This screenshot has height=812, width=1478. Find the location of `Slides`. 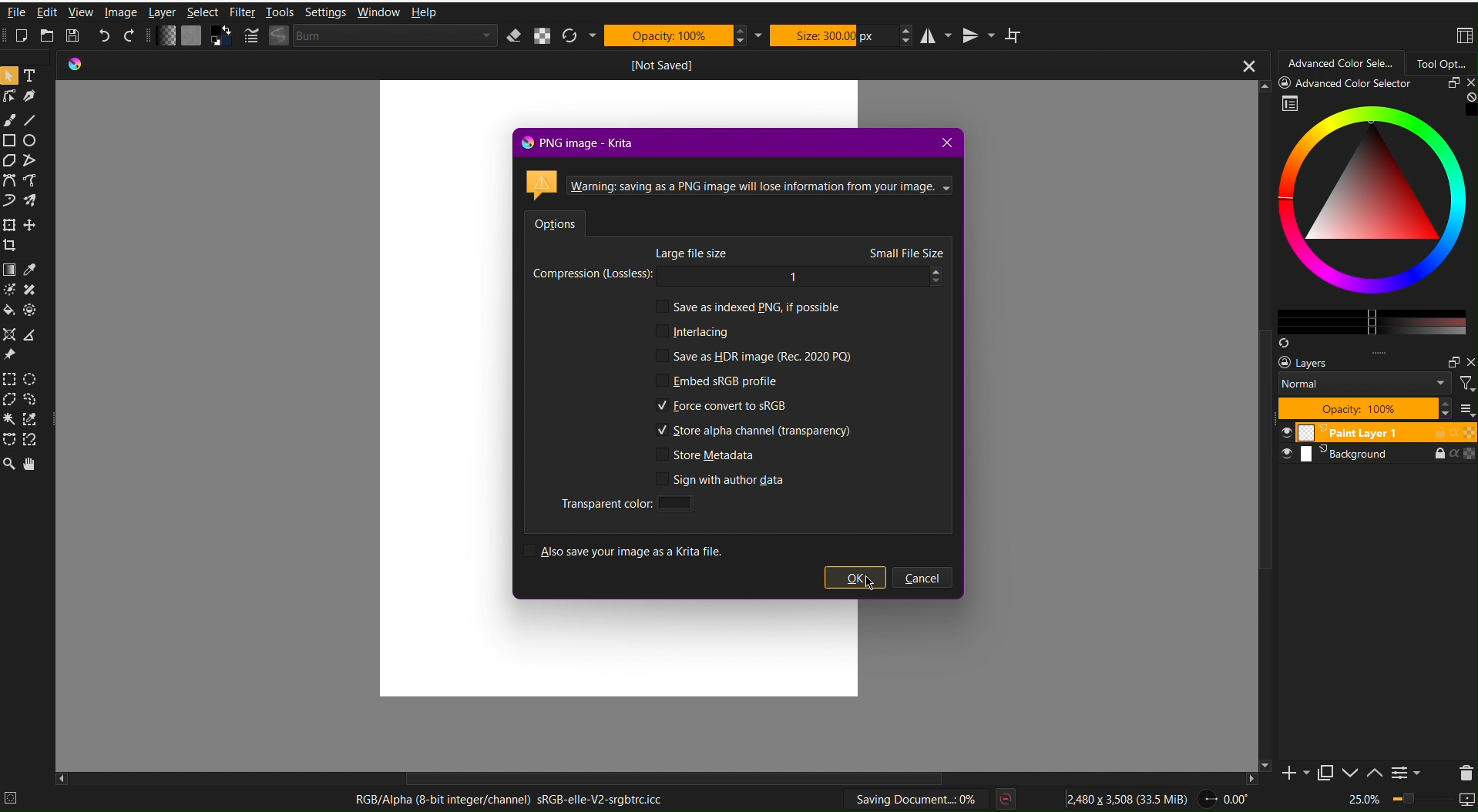

Slides is located at coordinates (1376, 444).